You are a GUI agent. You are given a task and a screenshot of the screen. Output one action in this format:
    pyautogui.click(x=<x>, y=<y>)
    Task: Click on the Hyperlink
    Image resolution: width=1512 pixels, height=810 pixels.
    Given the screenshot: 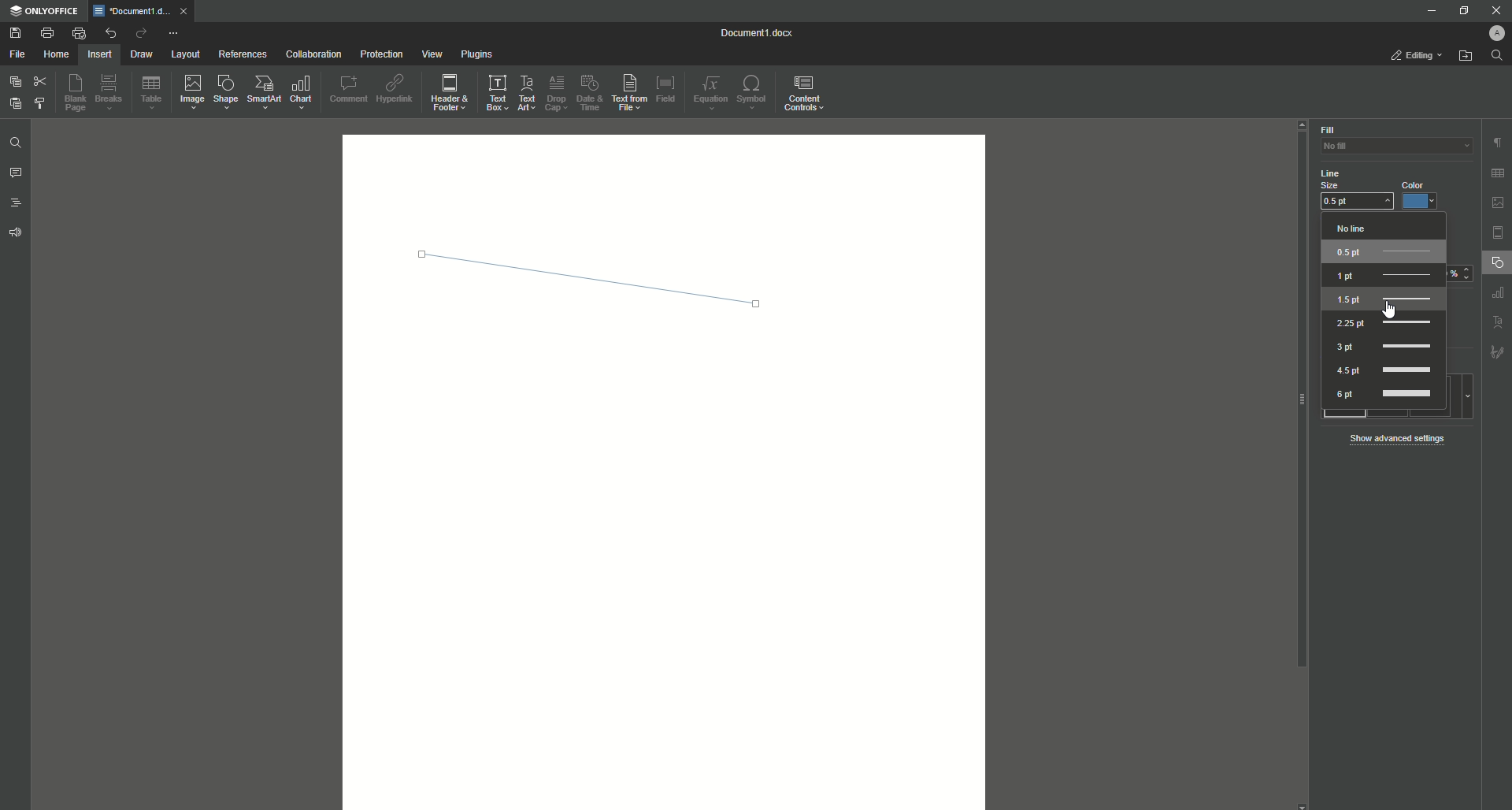 What is the action you would take?
    pyautogui.click(x=396, y=90)
    